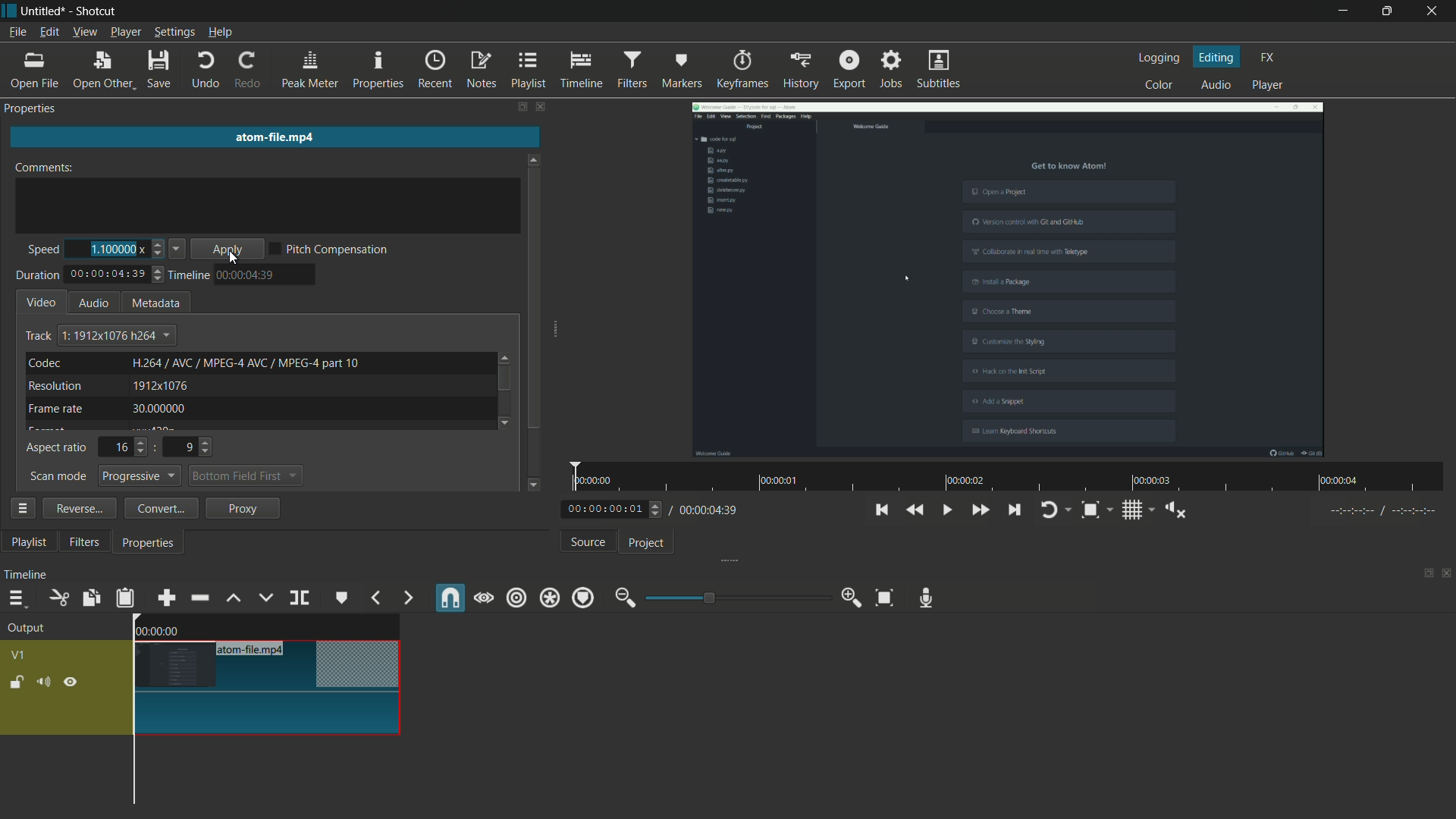 The height and width of the screenshot is (819, 1456). Describe the element at coordinates (548, 598) in the screenshot. I see `ripple all tracks` at that location.